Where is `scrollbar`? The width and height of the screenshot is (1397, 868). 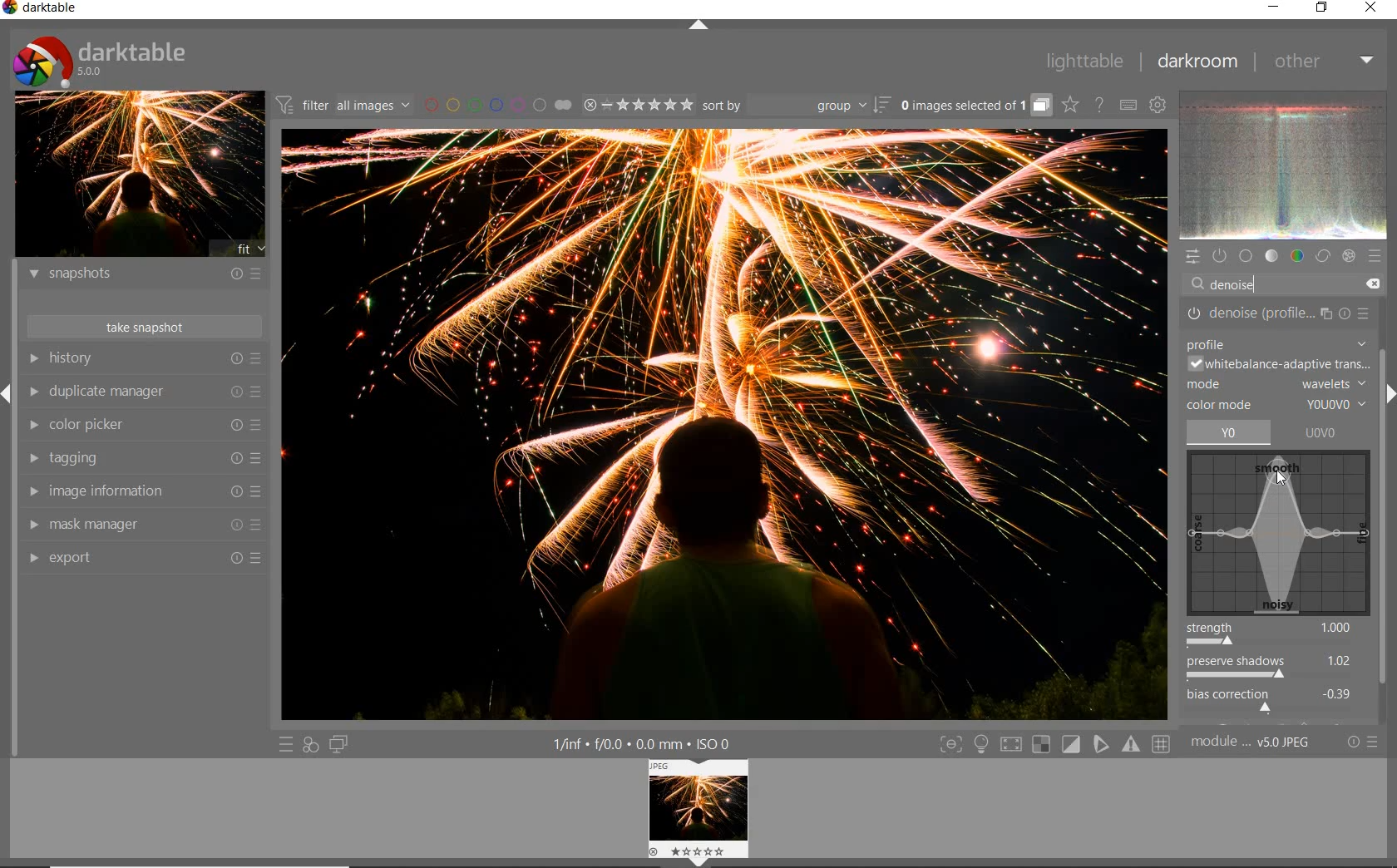
scrollbar is located at coordinates (1384, 501).